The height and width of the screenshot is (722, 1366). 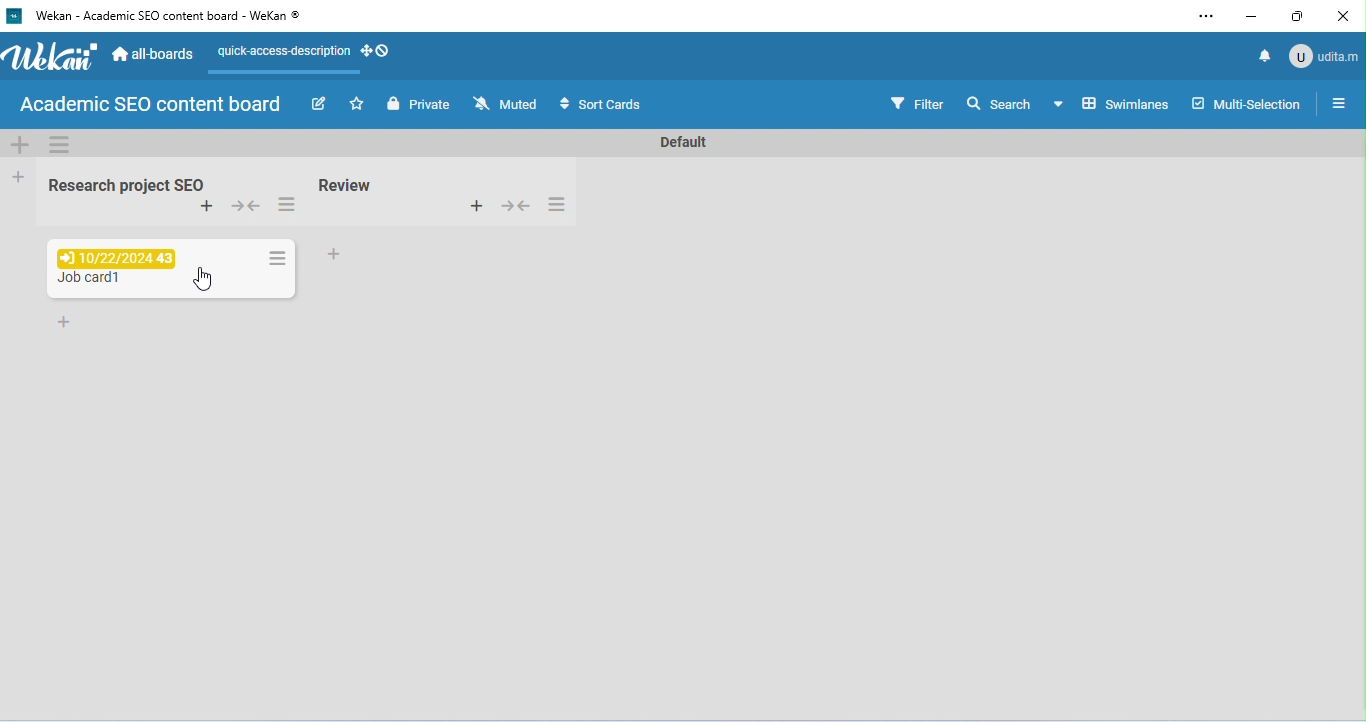 I want to click on admin, so click(x=1322, y=55).